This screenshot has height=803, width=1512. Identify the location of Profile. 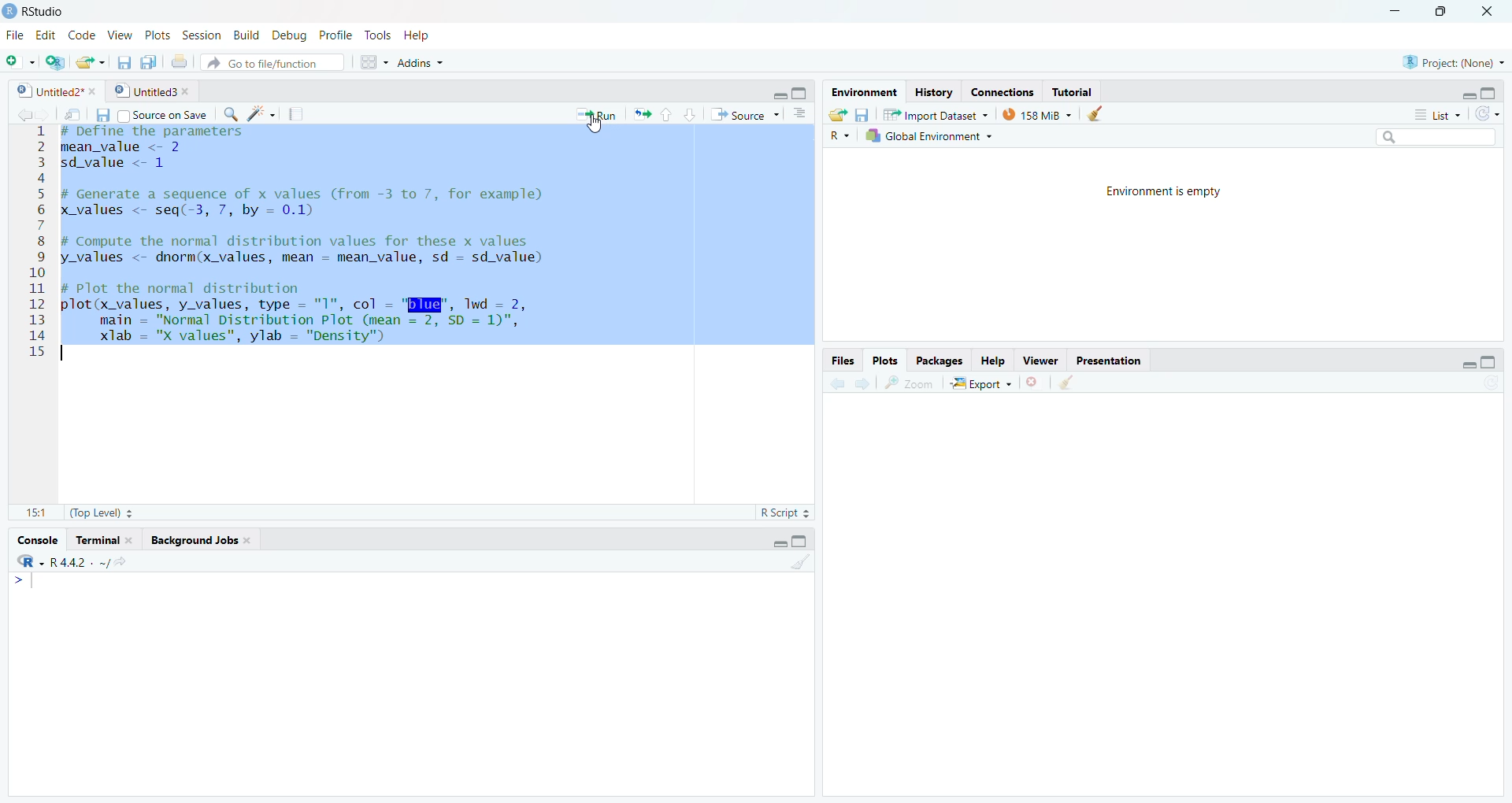
(333, 35).